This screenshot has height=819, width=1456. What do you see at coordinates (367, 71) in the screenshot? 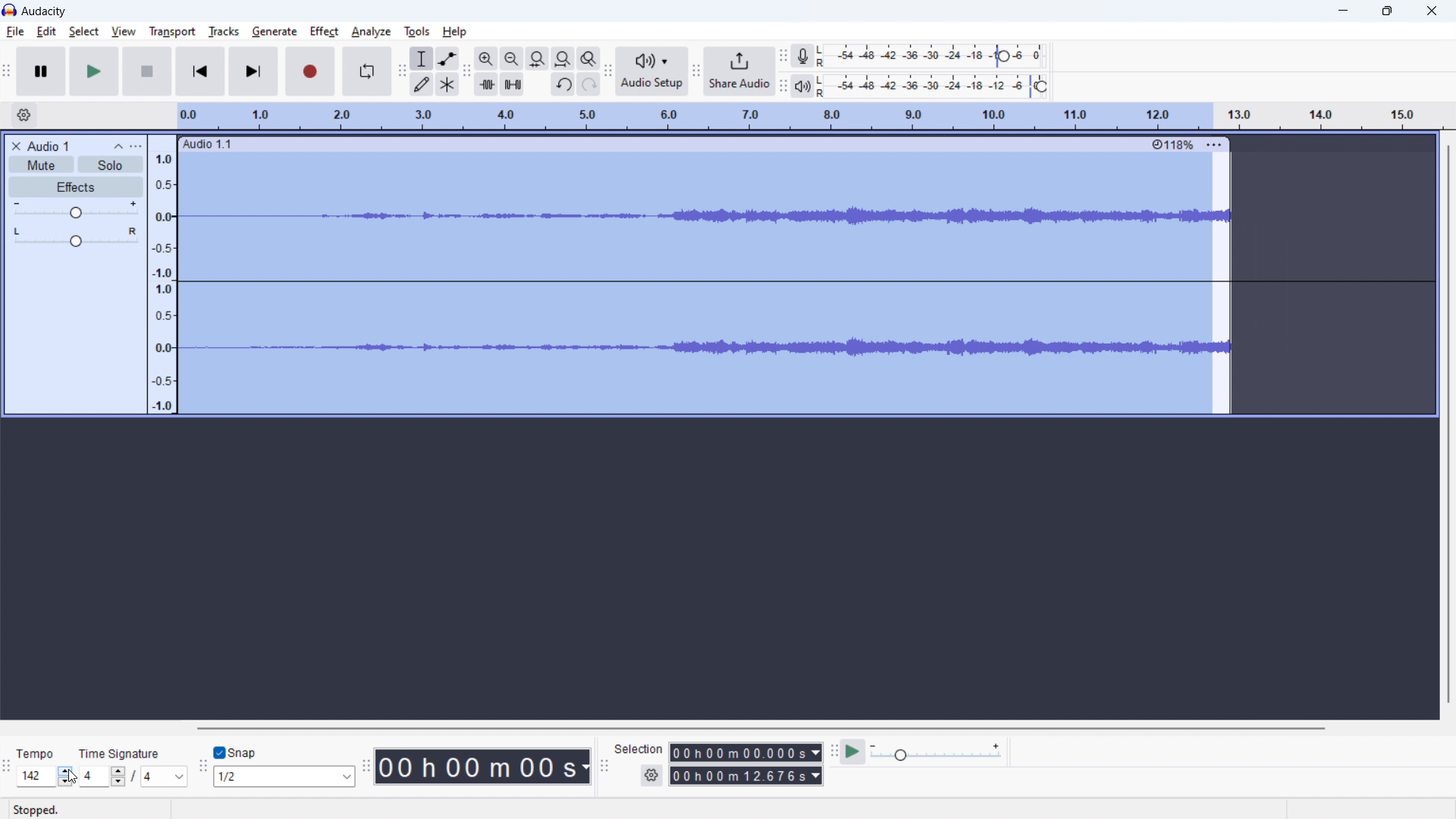
I see `enable looping` at bounding box center [367, 71].